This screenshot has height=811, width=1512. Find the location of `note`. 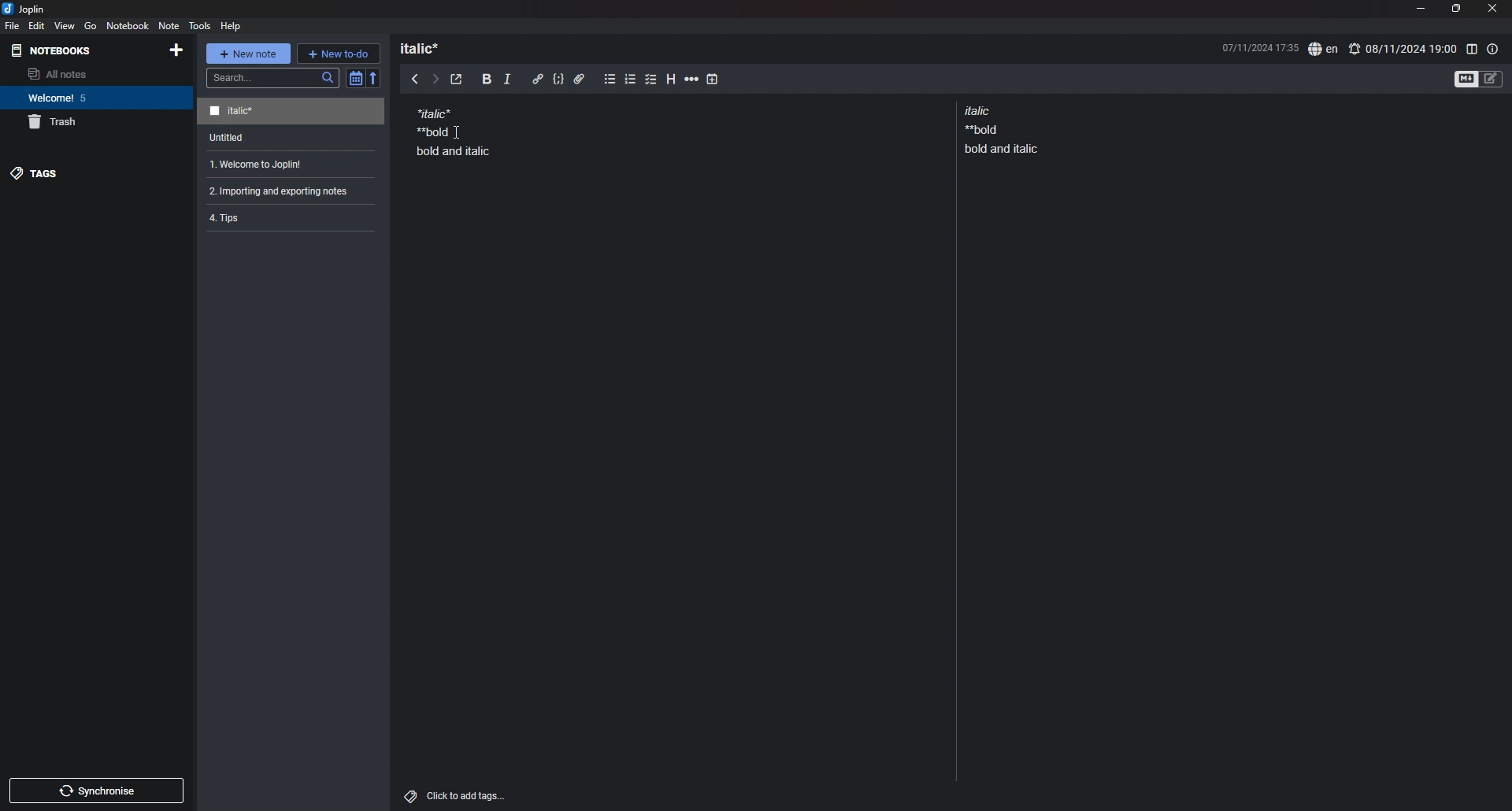

note is located at coordinates (287, 165).